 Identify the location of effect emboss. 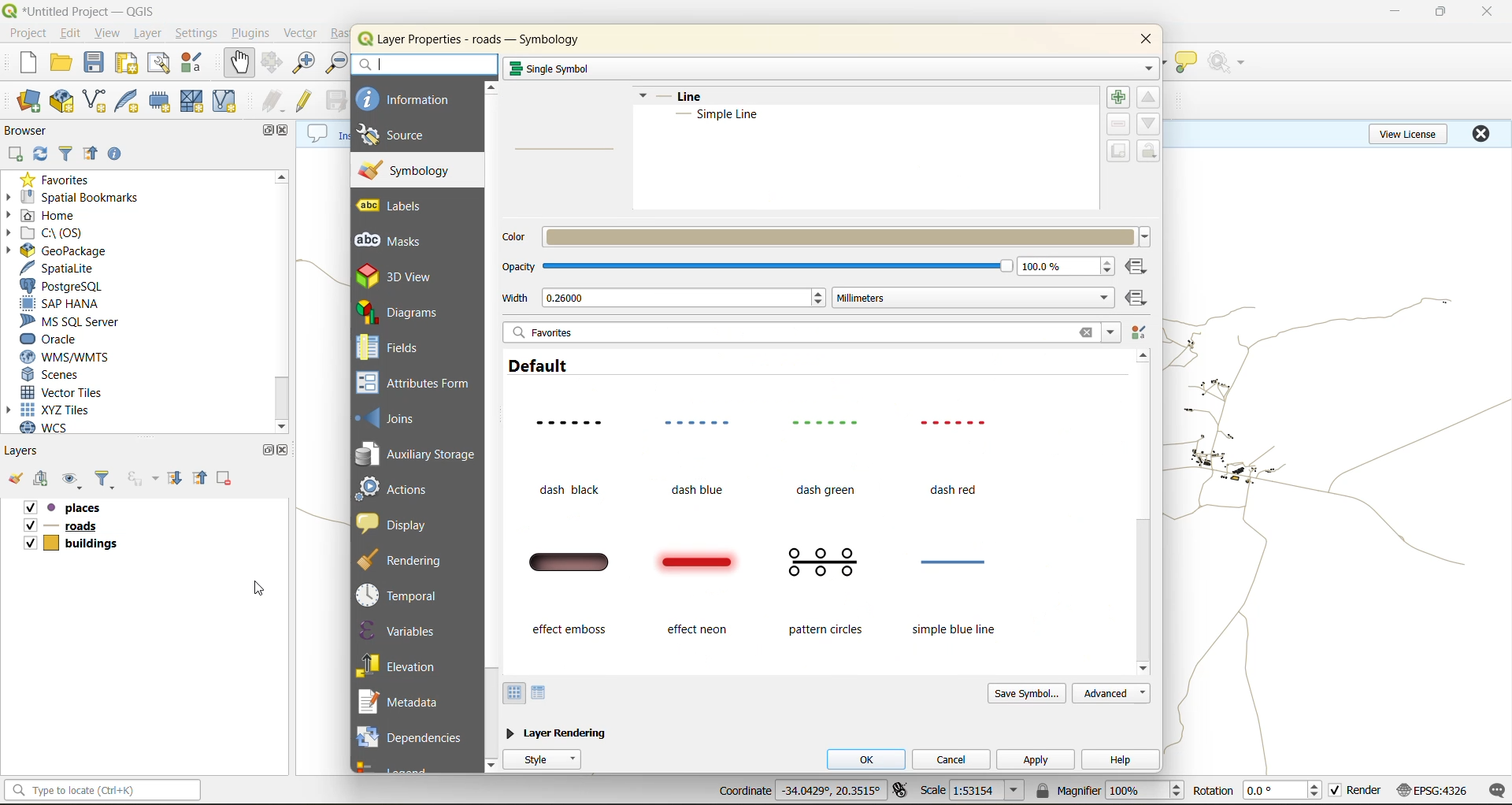
(574, 594).